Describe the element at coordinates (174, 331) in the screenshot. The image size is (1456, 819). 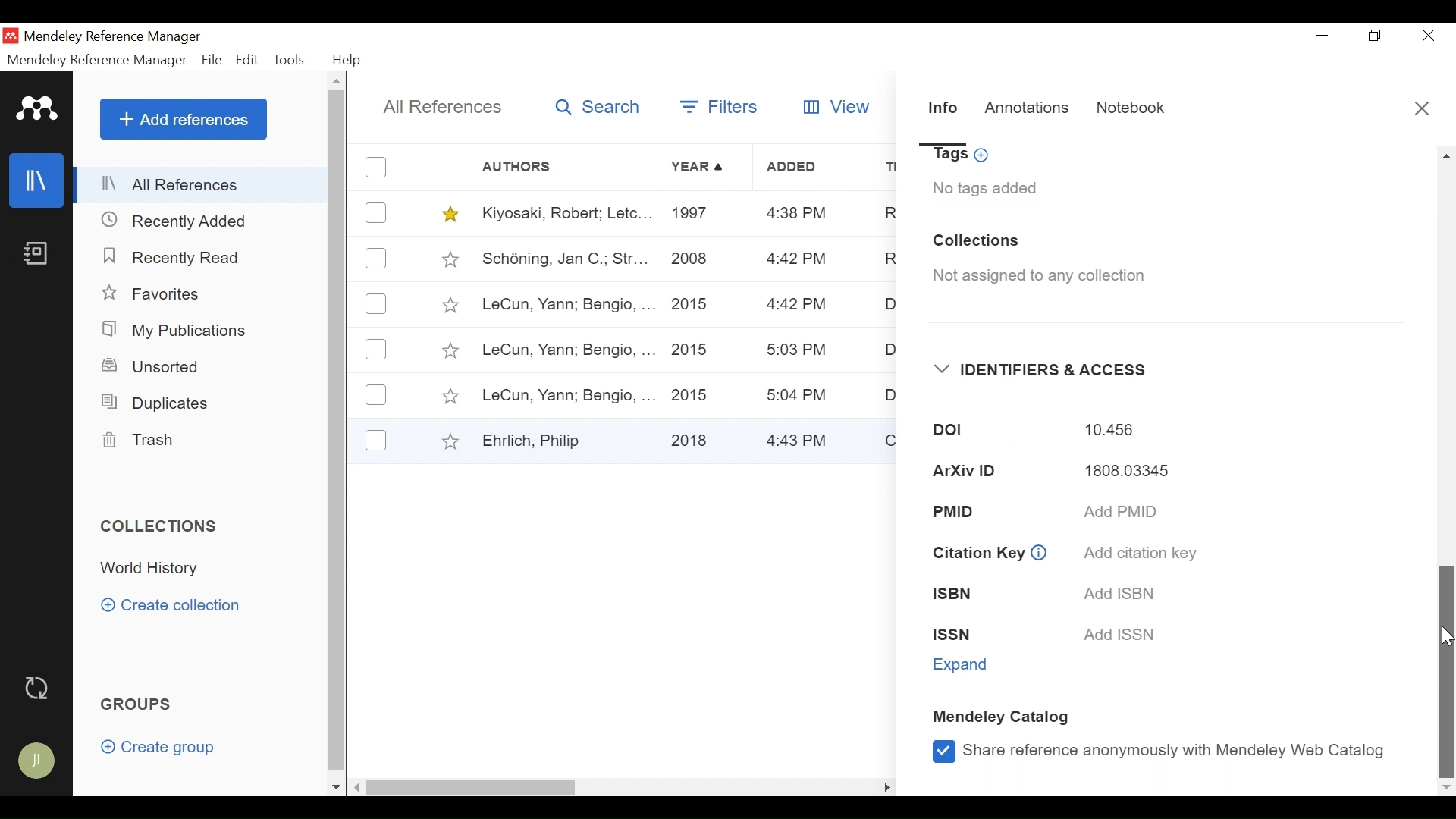
I see `My Publications` at that location.